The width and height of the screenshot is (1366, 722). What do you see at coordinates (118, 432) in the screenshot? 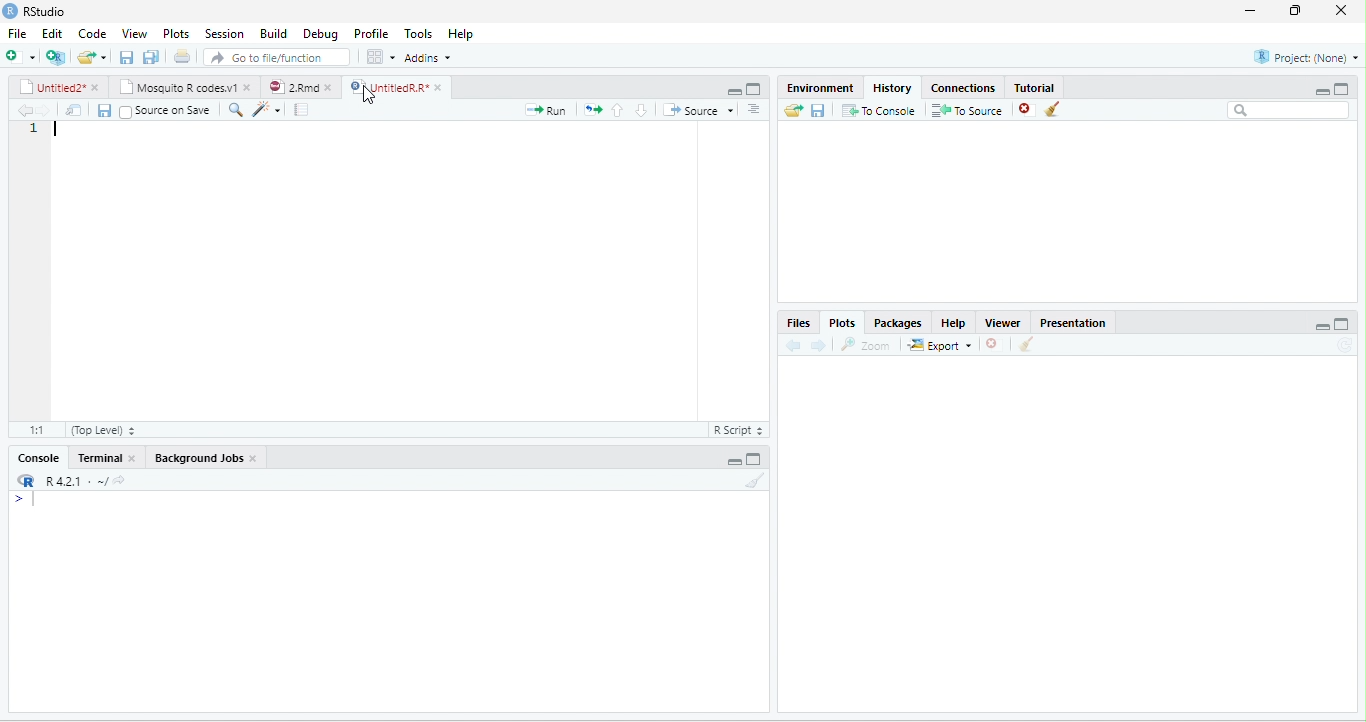
I see `top level` at bounding box center [118, 432].